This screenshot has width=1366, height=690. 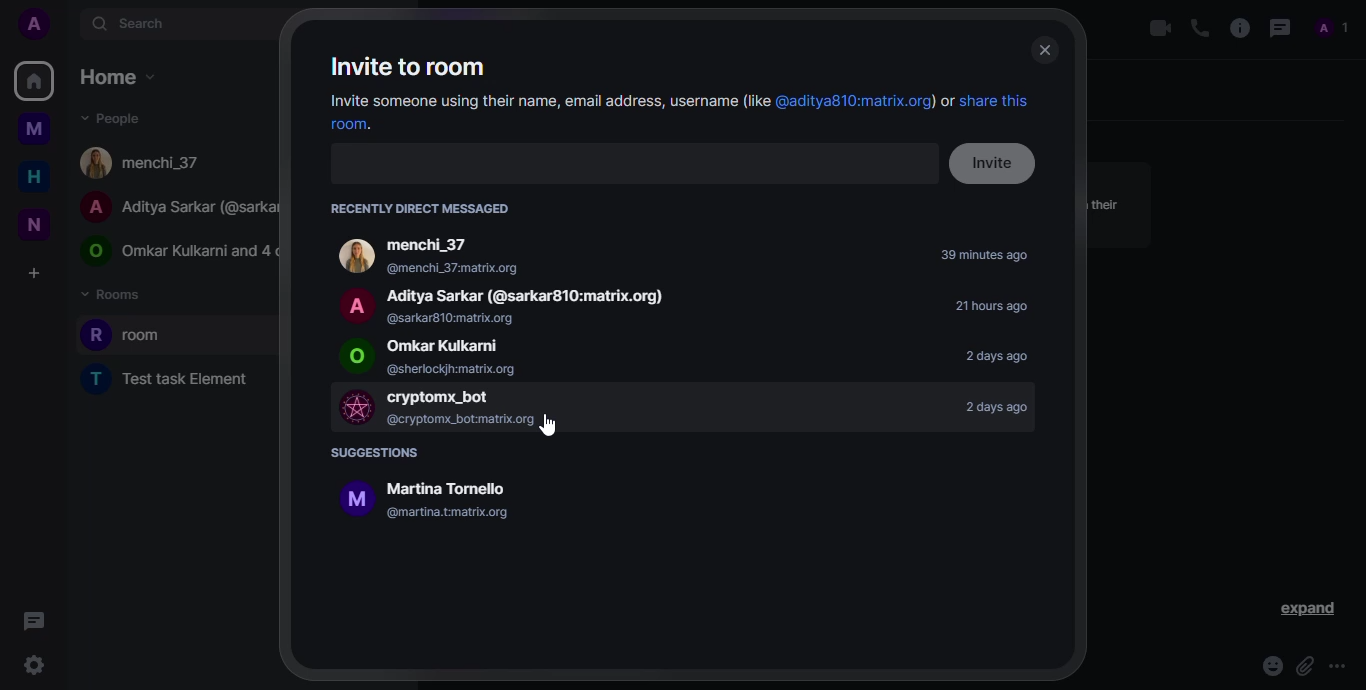 I want to click on menchi_37 , so click(x=463, y=242).